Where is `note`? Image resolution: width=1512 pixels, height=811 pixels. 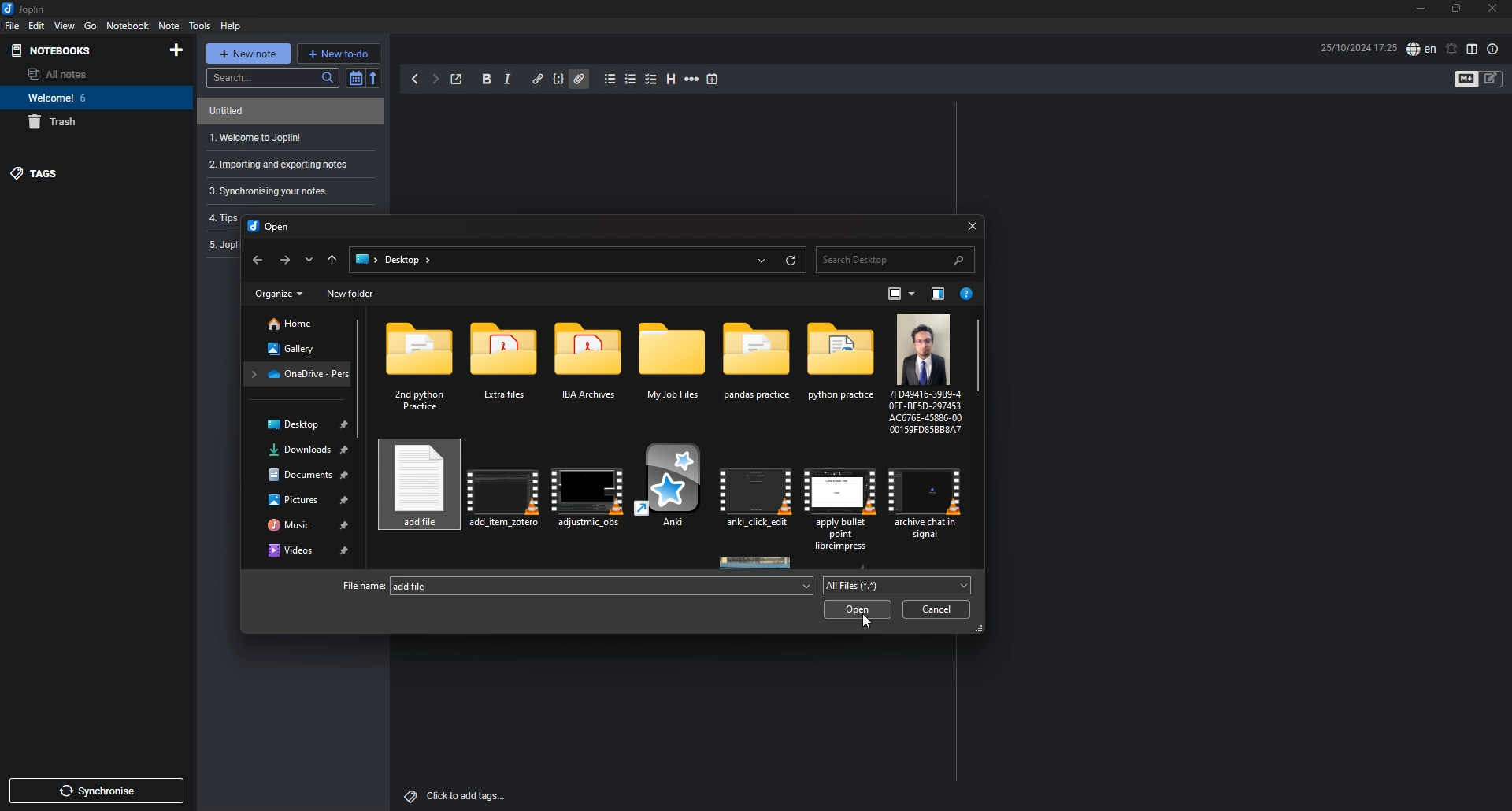 note is located at coordinates (284, 111).